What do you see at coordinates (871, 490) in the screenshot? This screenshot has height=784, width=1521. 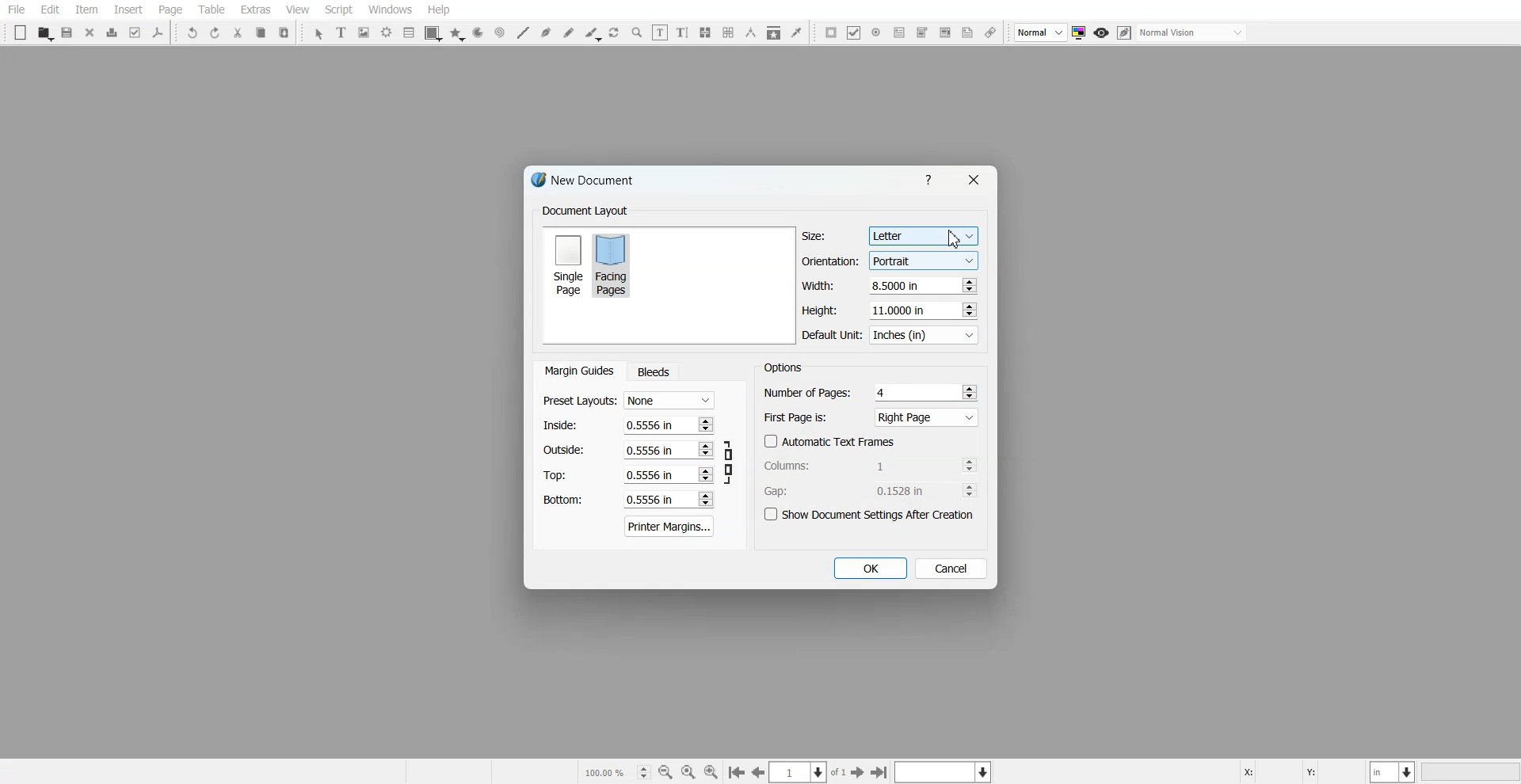 I see `Gap Adjuster` at bounding box center [871, 490].